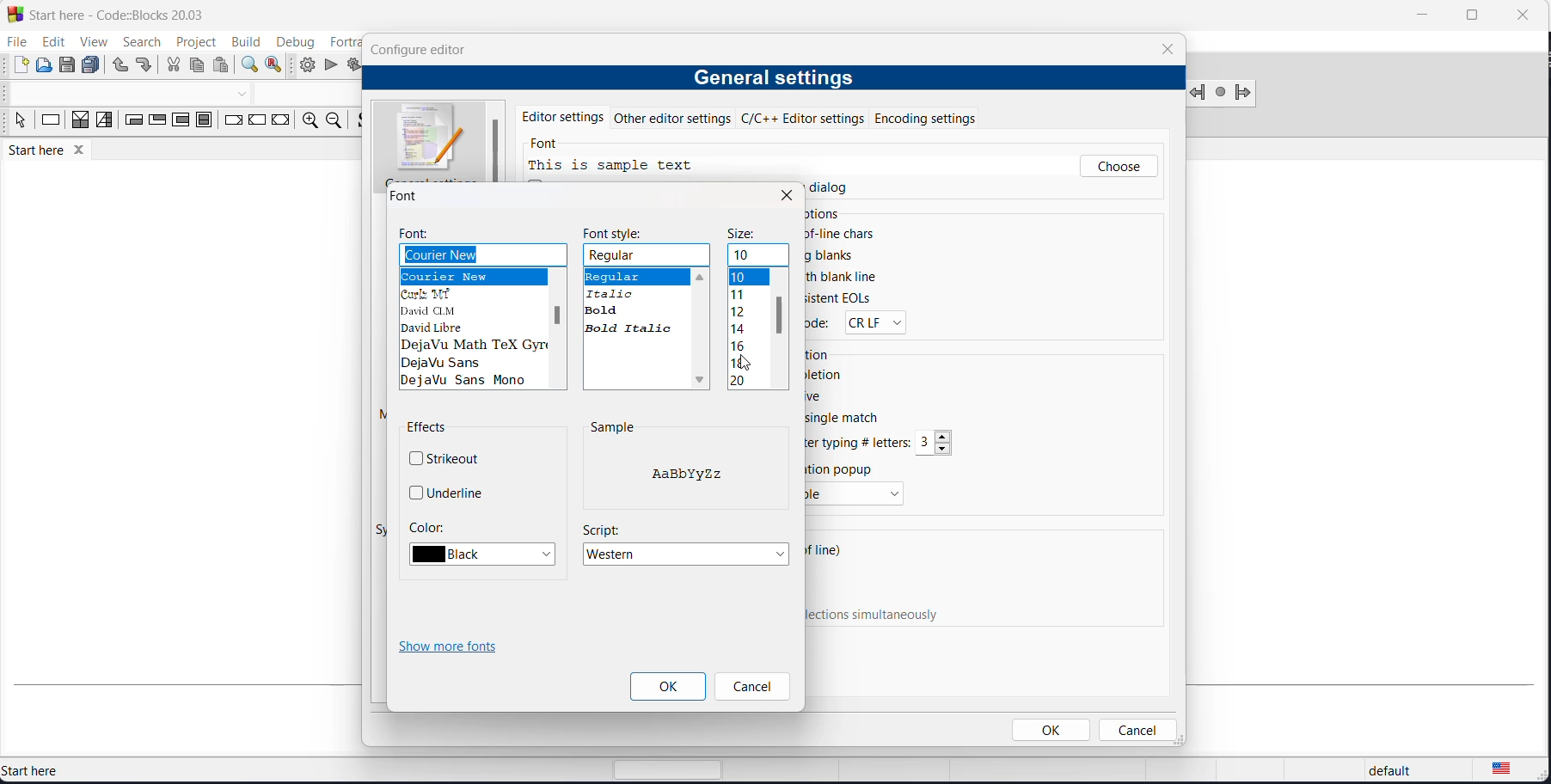  What do you see at coordinates (259, 121) in the screenshot?
I see `continue instruction` at bounding box center [259, 121].